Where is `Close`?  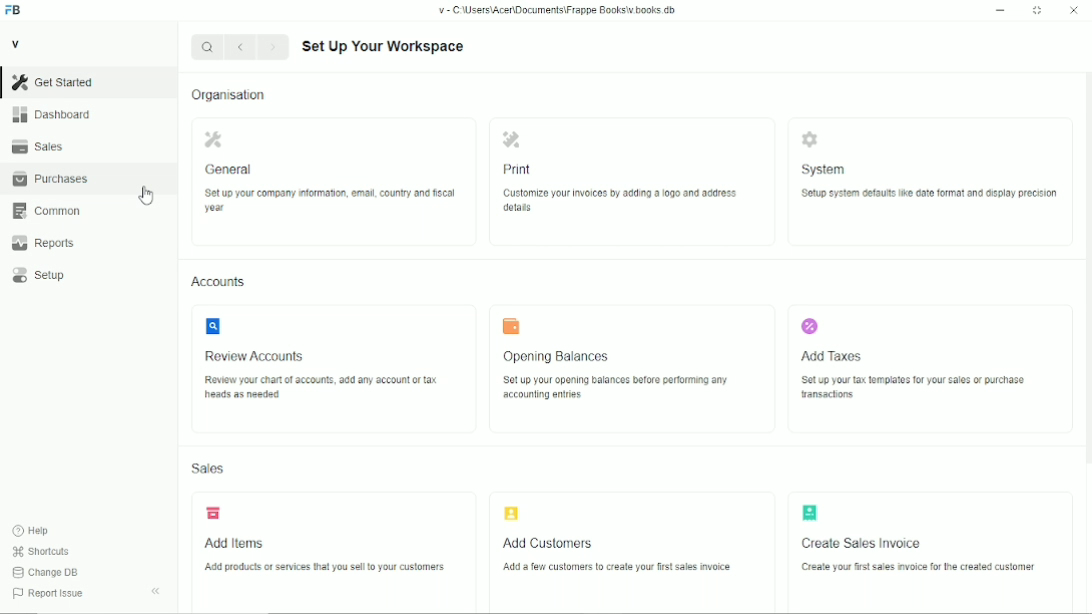 Close is located at coordinates (1074, 10).